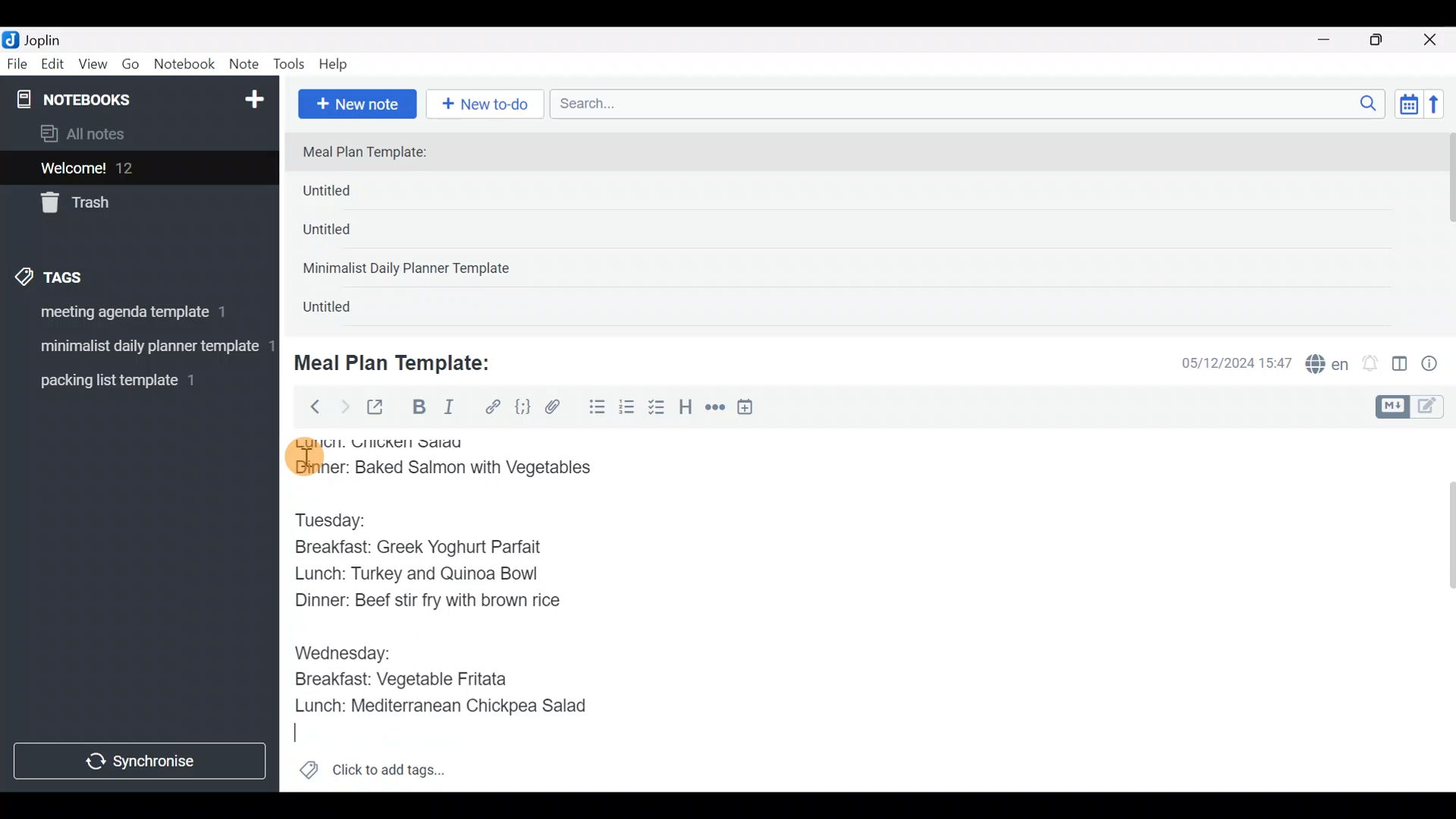 The height and width of the screenshot is (819, 1456). What do you see at coordinates (356, 102) in the screenshot?
I see `New note` at bounding box center [356, 102].